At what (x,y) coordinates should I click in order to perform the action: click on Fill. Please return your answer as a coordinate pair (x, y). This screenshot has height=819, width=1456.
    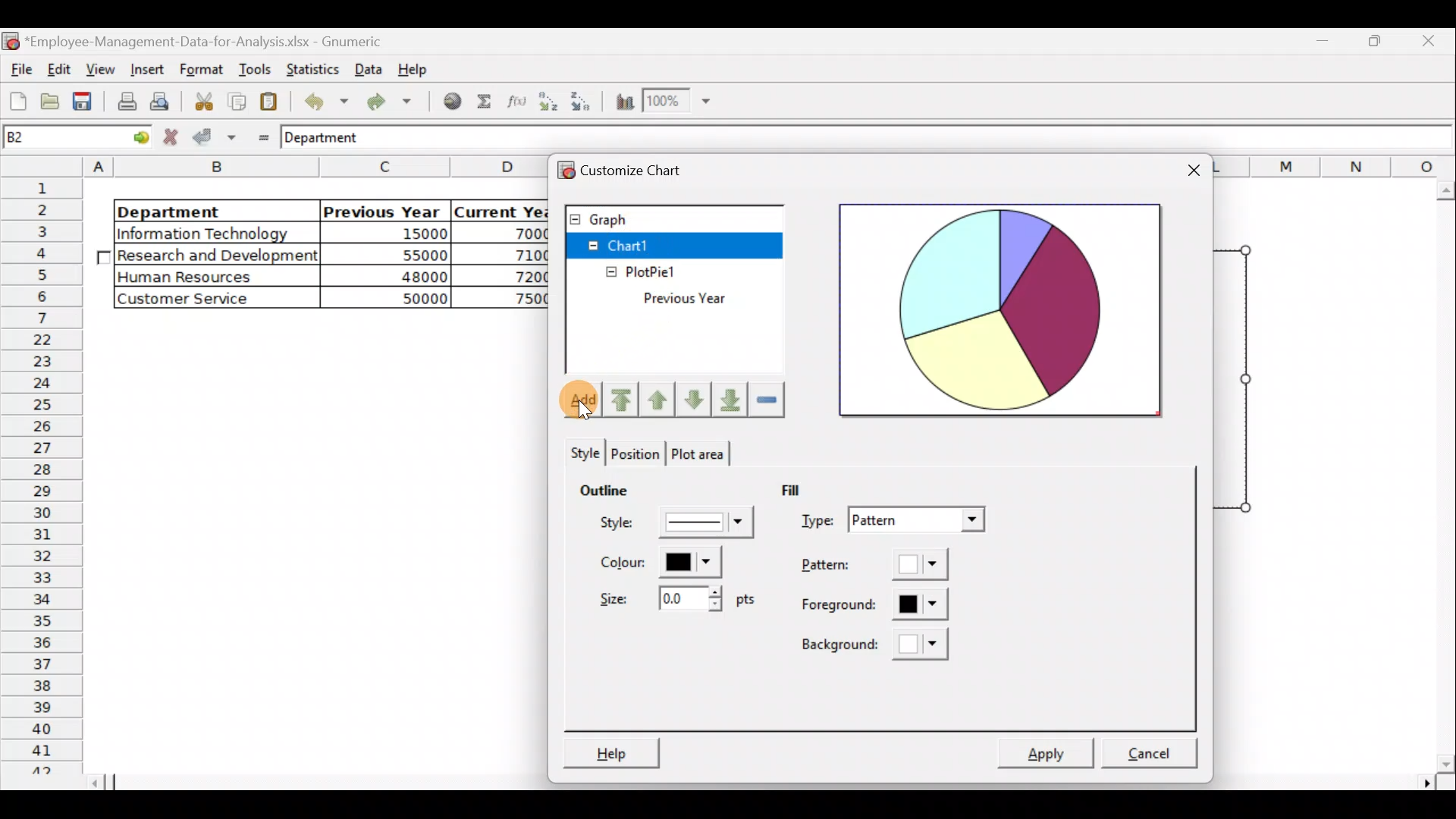
    Looking at the image, I should click on (804, 491).